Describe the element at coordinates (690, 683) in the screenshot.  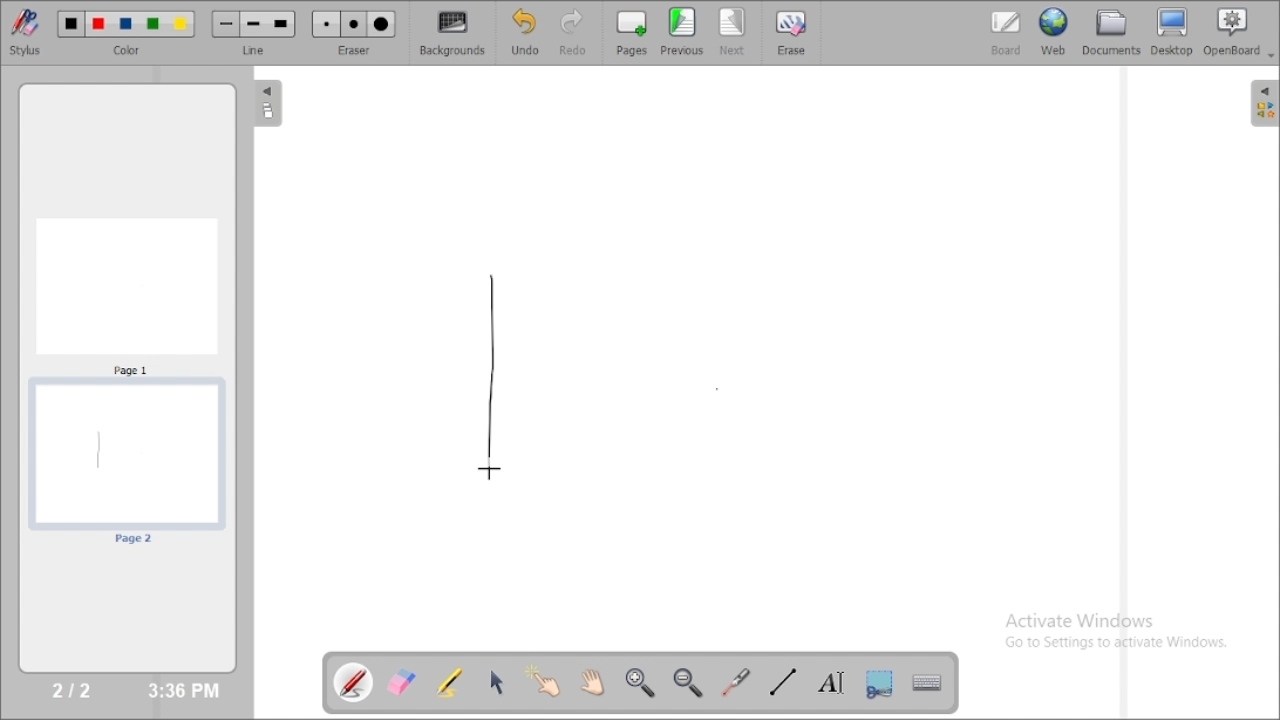
I see `zoom out` at that location.